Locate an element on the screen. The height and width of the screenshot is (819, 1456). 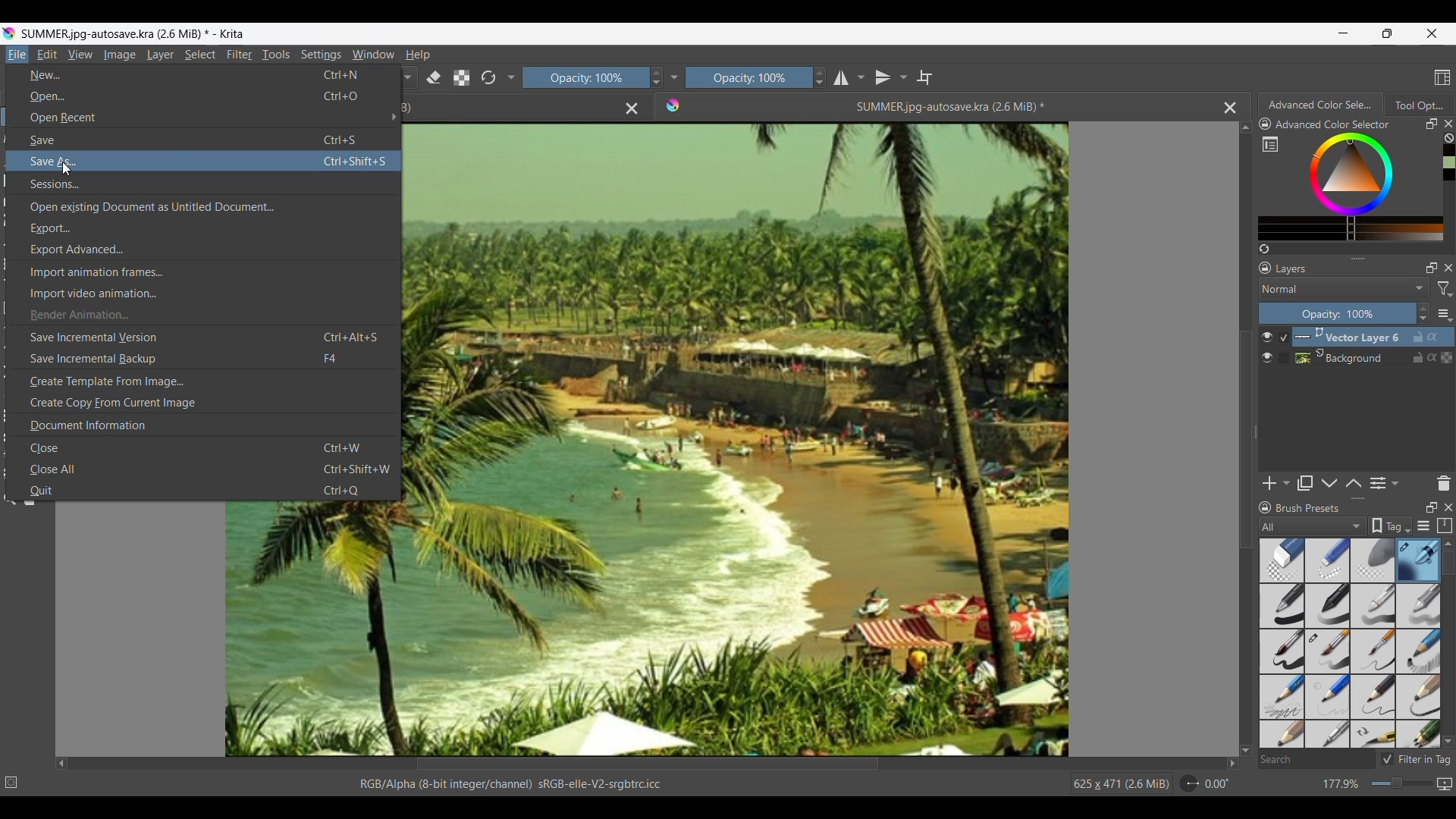
Reset to original preset is located at coordinates (488, 78).